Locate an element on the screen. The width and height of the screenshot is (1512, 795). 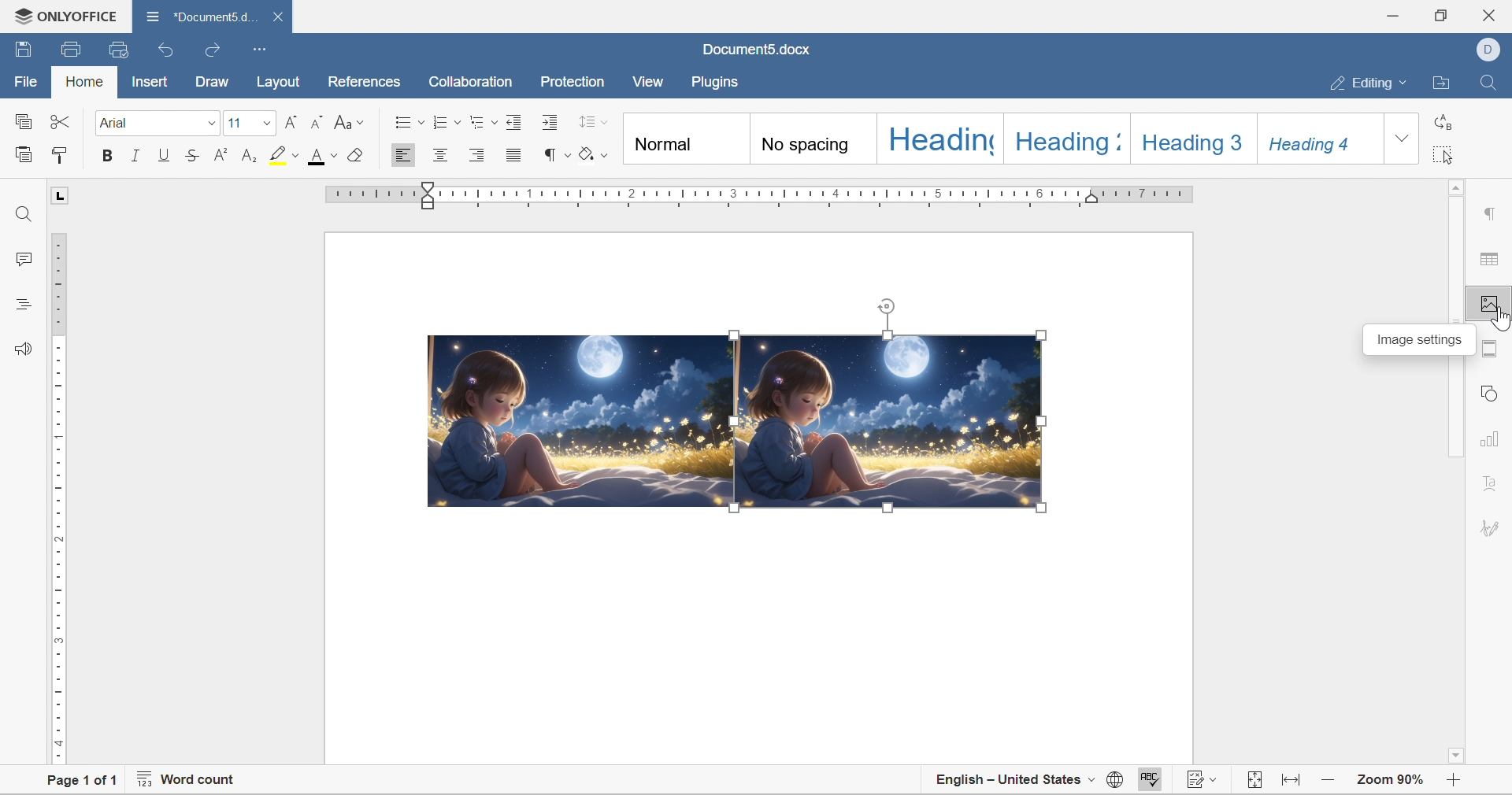
shape settings is located at coordinates (1490, 391).